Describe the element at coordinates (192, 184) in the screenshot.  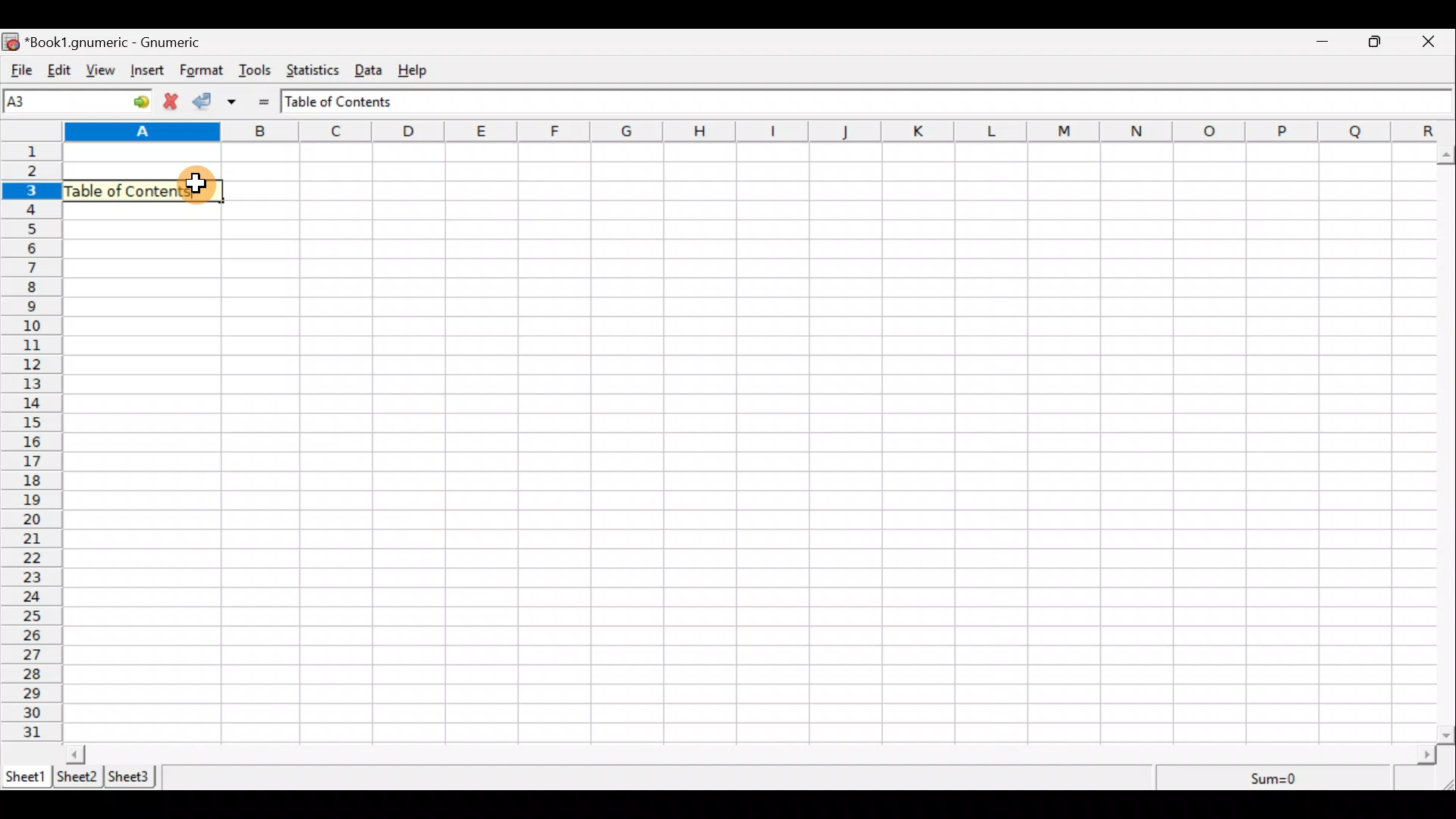
I see `Cursor on cell A3 (Table of contents)` at that location.